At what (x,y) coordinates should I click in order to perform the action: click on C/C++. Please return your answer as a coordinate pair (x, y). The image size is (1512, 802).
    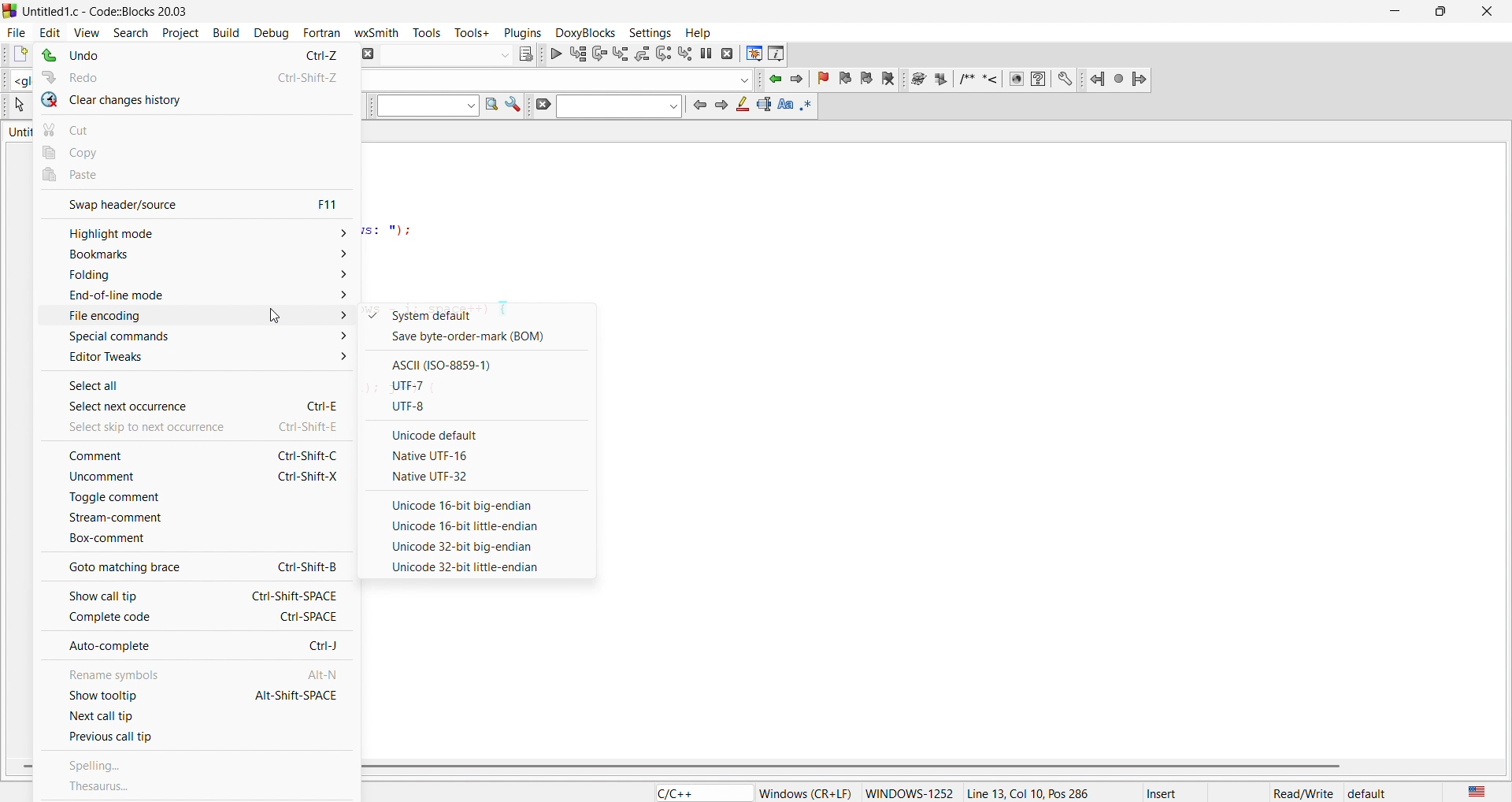
    Looking at the image, I should click on (702, 793).